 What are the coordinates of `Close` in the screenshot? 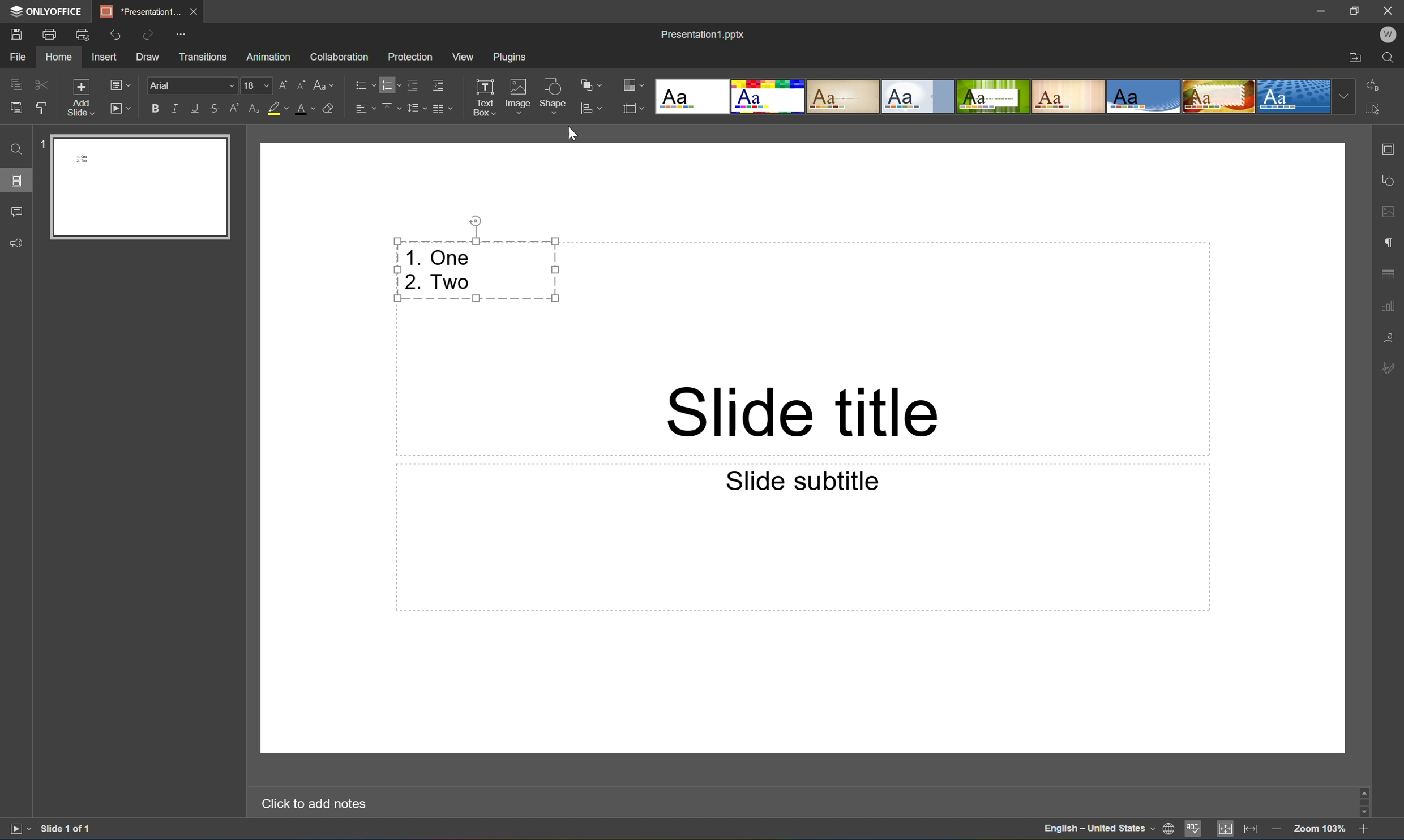 It's located at (197, 12).